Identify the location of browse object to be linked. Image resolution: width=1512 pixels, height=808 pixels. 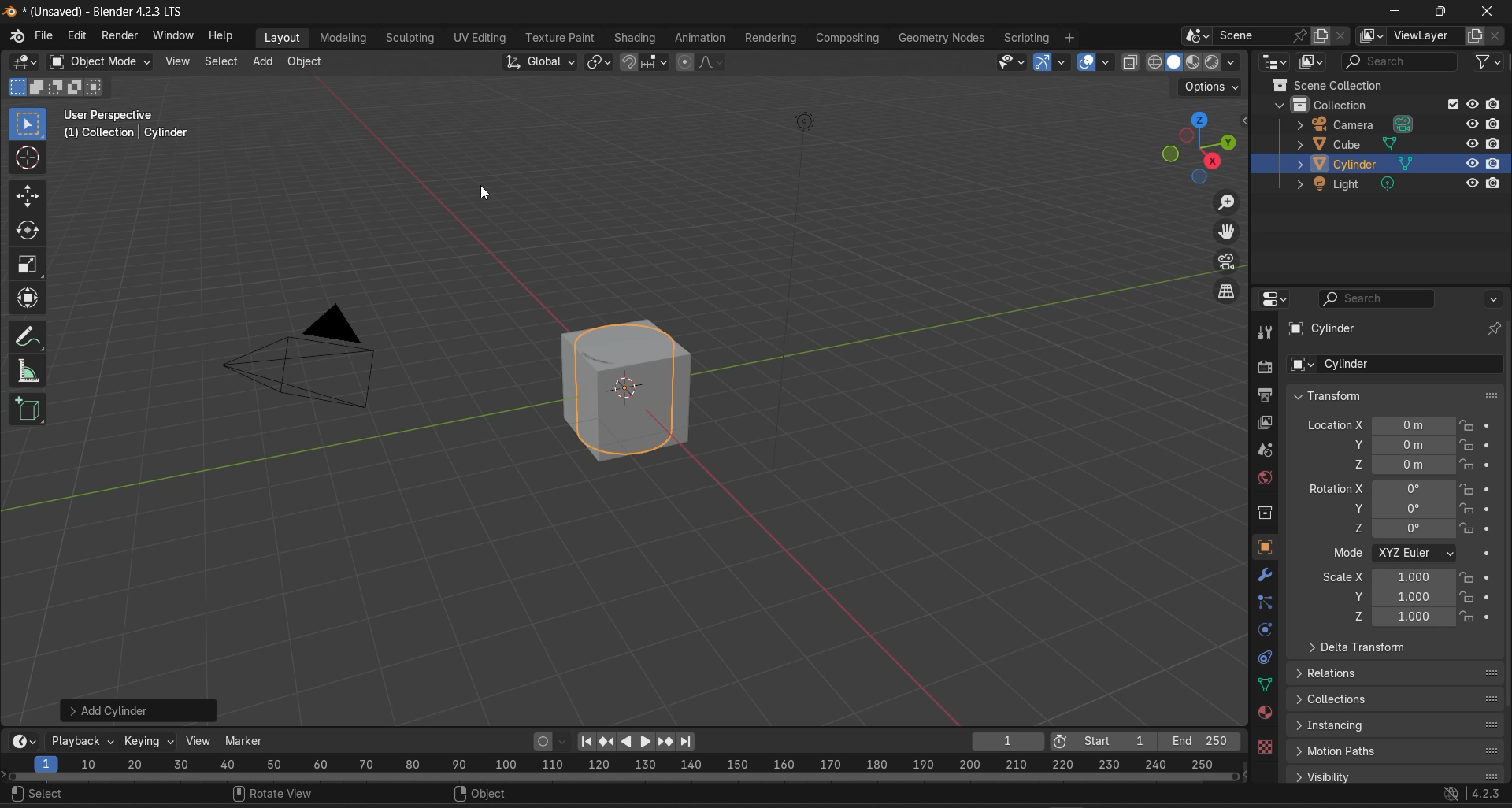
(1302, 365).